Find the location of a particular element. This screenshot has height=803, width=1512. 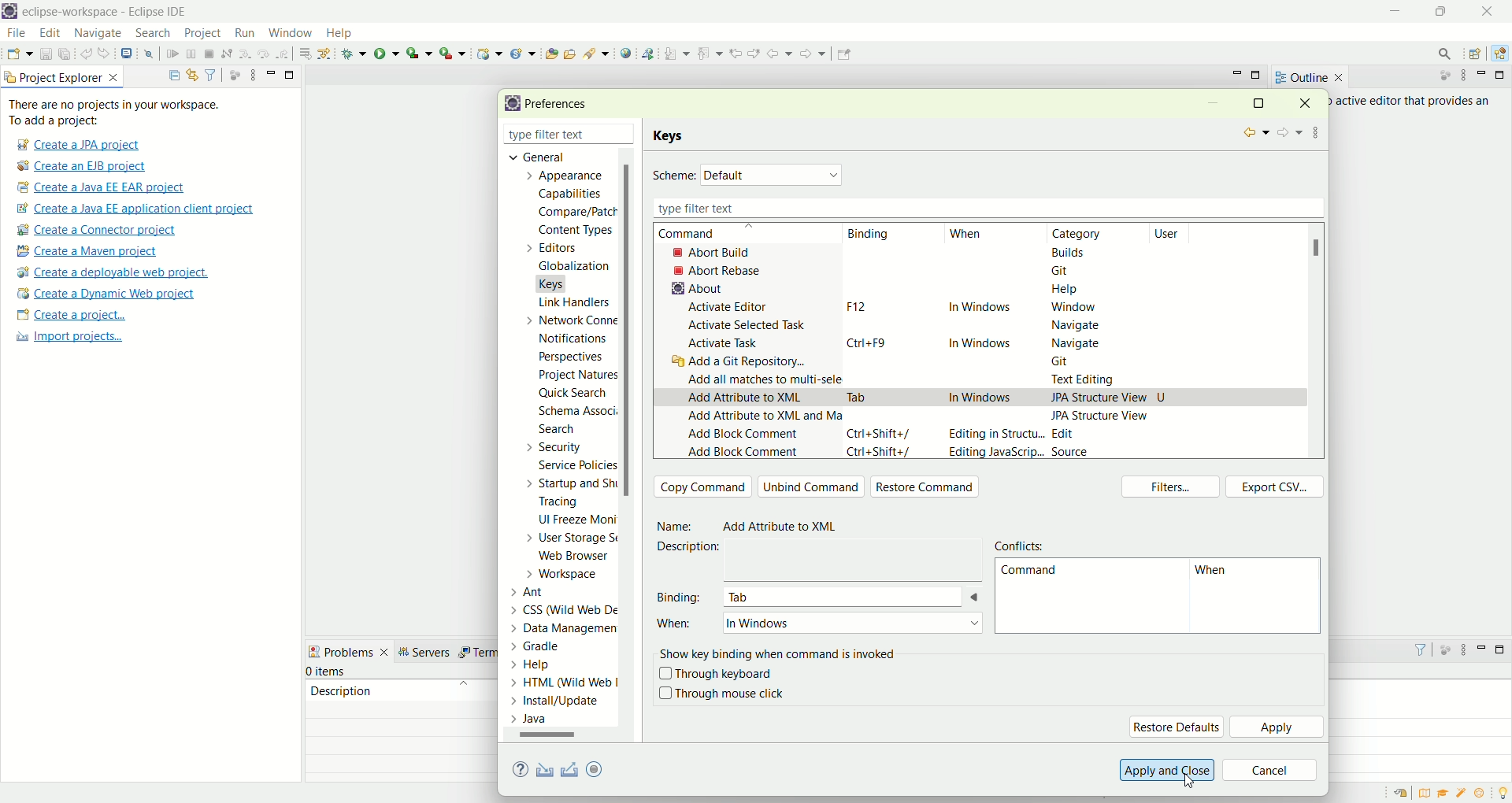

ctrl+shift+/ is located at coordinates (880, 433).